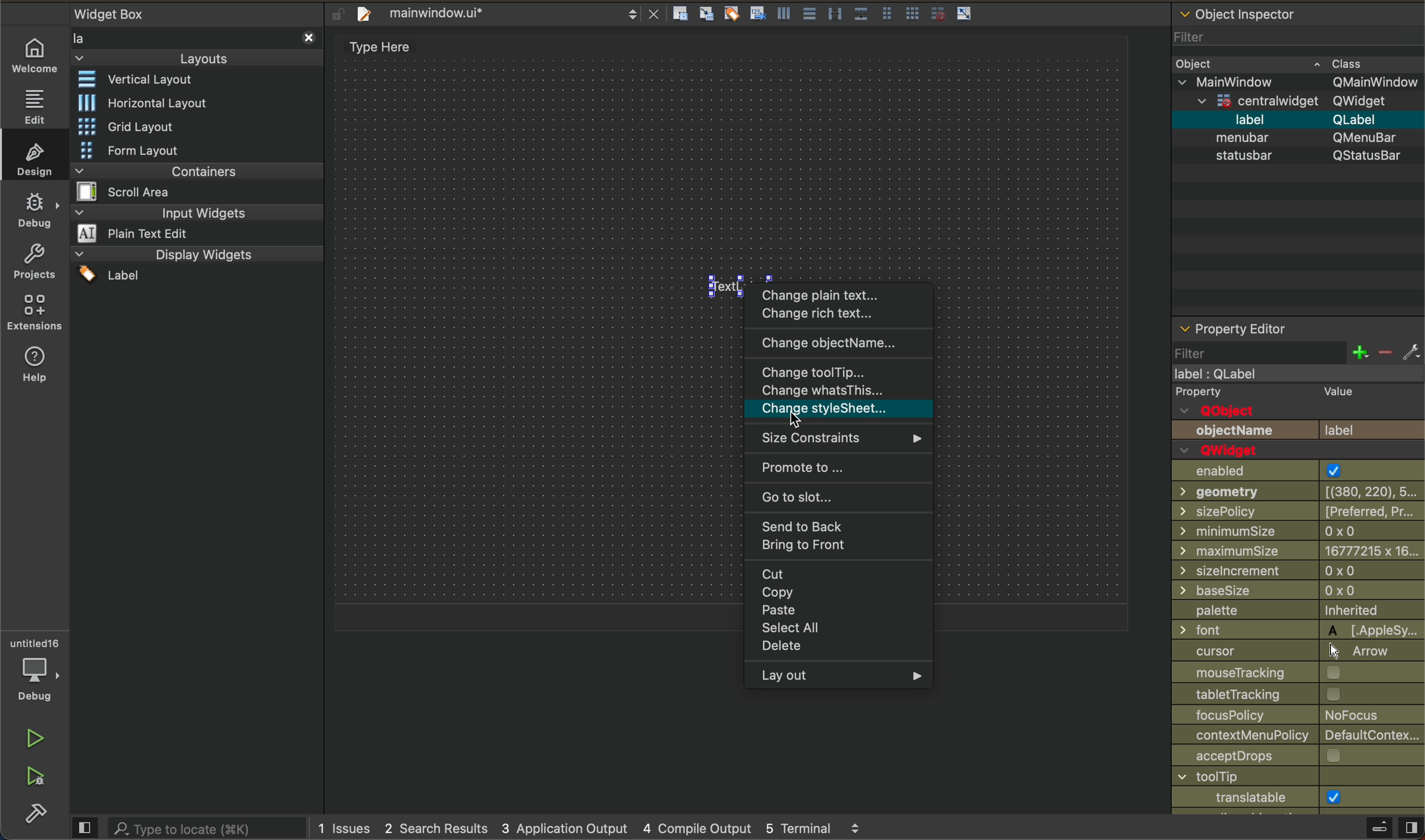 The width and height of the screenshot is (1425, 840). What do you see at coordinates (1299, 652) in the screenshot?
I see `cursor` at bounding box center [1299, 652].